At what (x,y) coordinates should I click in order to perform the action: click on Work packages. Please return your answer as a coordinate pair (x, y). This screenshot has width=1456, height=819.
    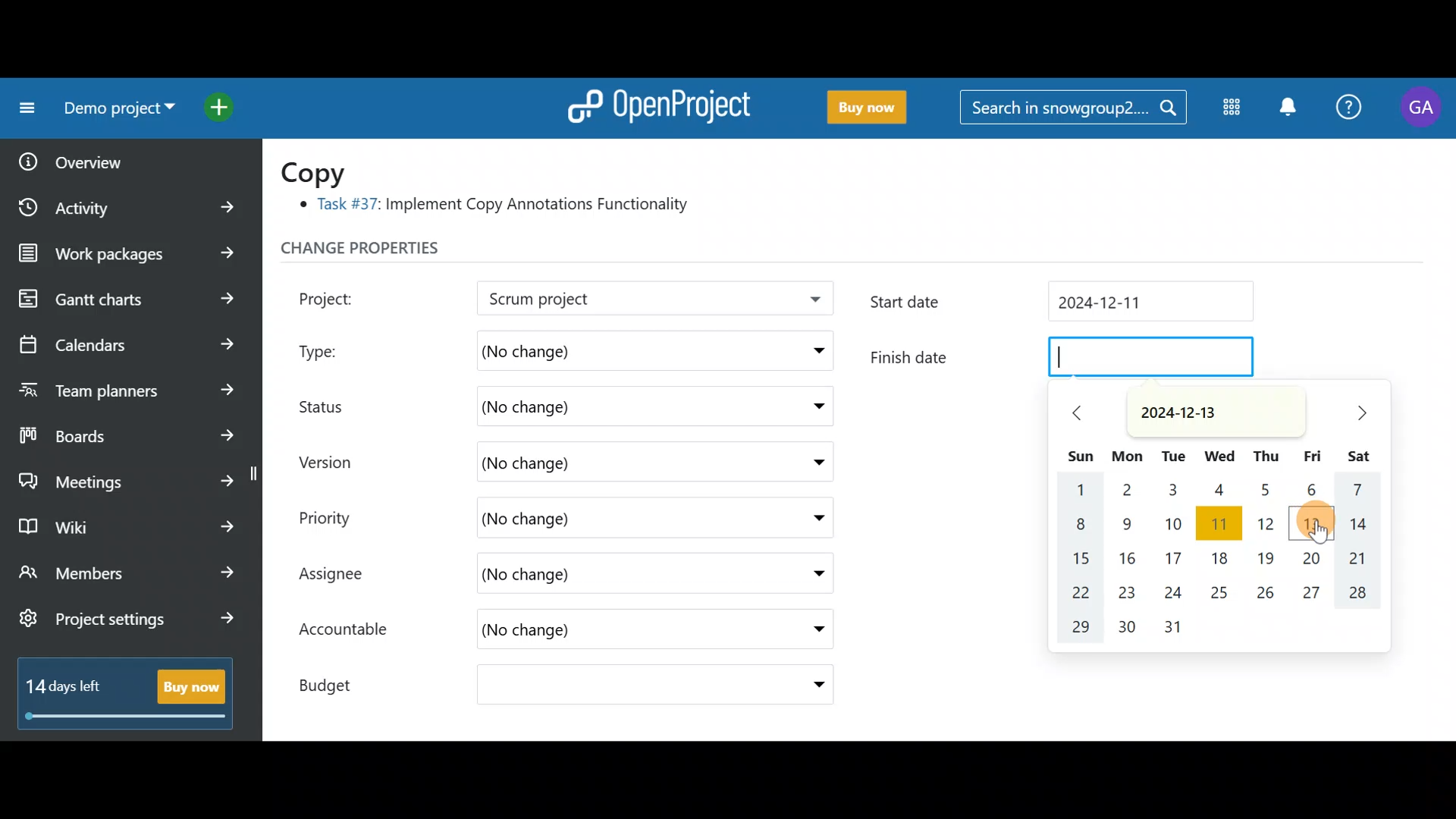
    Looking at the image, I should click on (130, 253).